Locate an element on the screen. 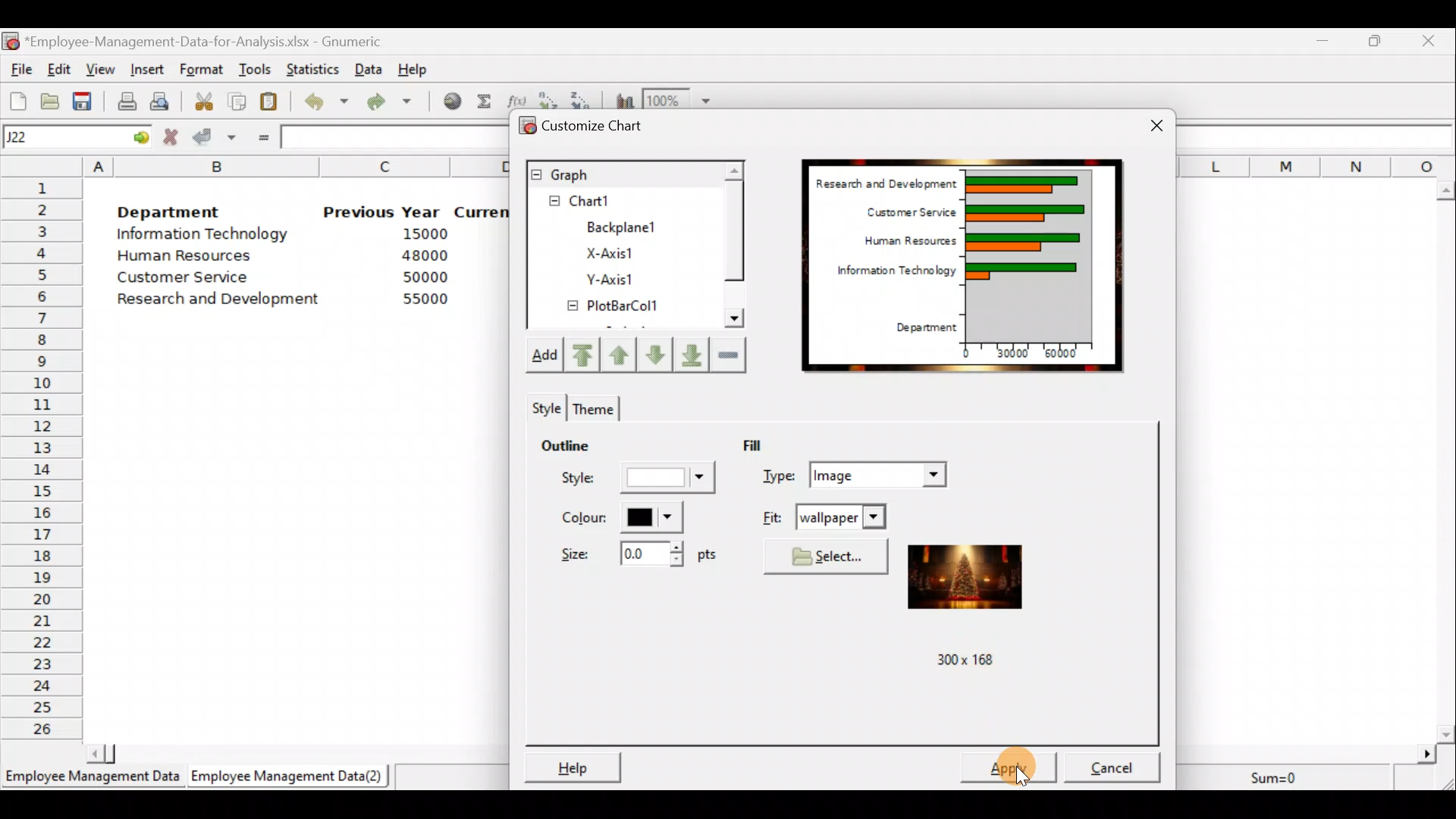  Sort in descending order is located at coordinates (583, 98).